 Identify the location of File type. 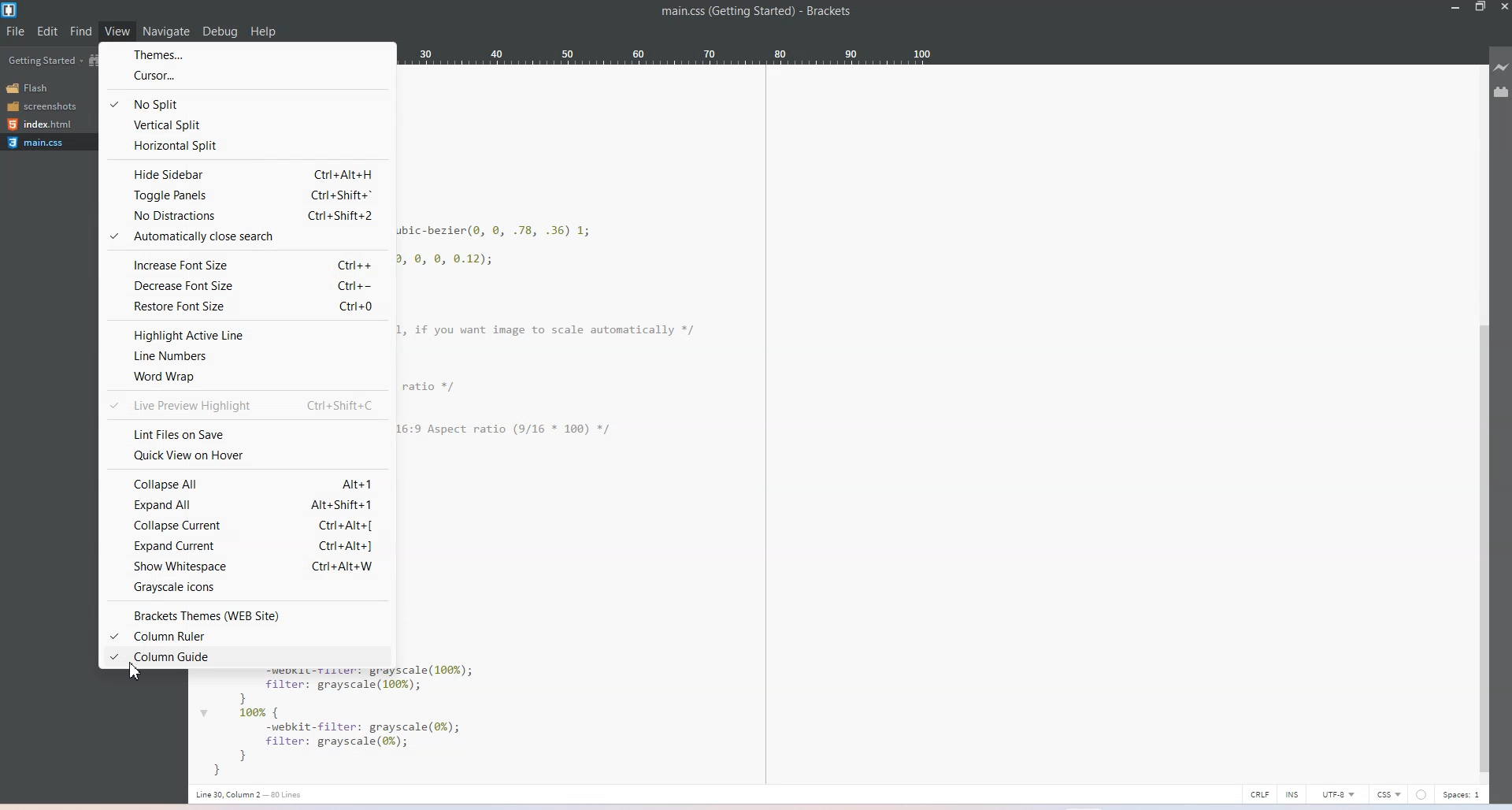
(1389, 795).